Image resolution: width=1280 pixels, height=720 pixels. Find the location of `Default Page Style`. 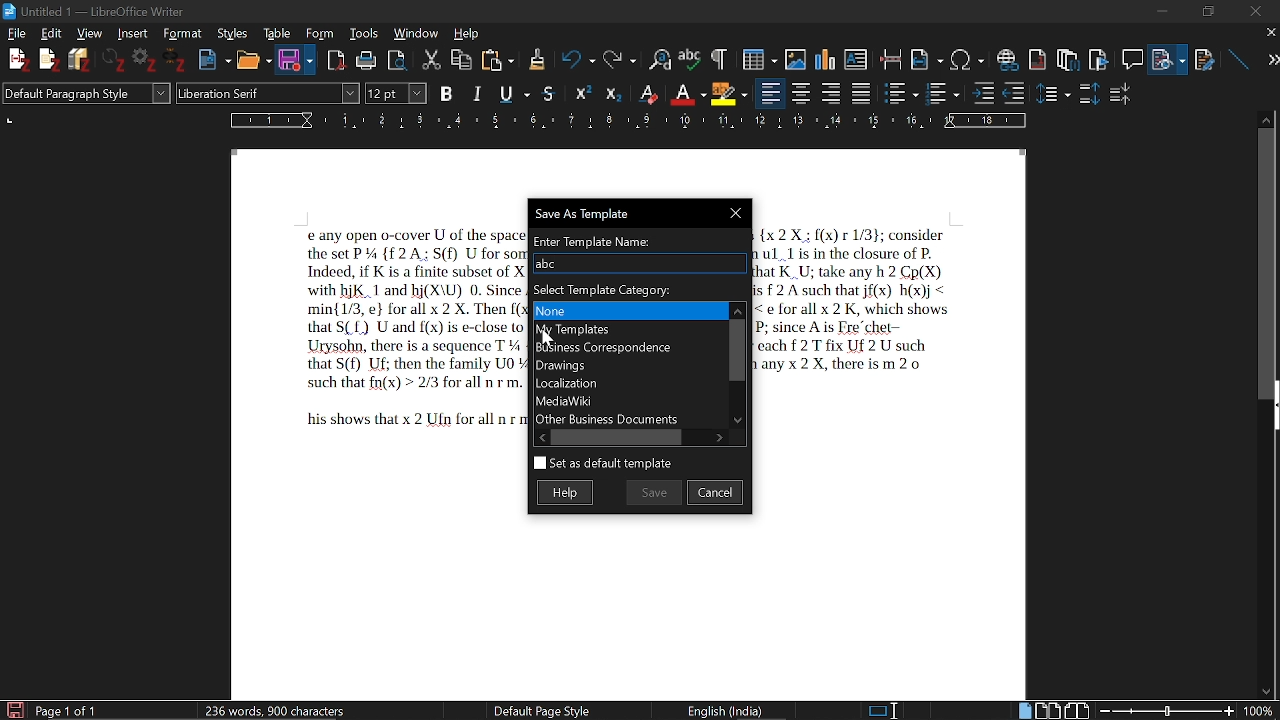

Default Page Style is located at coordinates (541, 710).